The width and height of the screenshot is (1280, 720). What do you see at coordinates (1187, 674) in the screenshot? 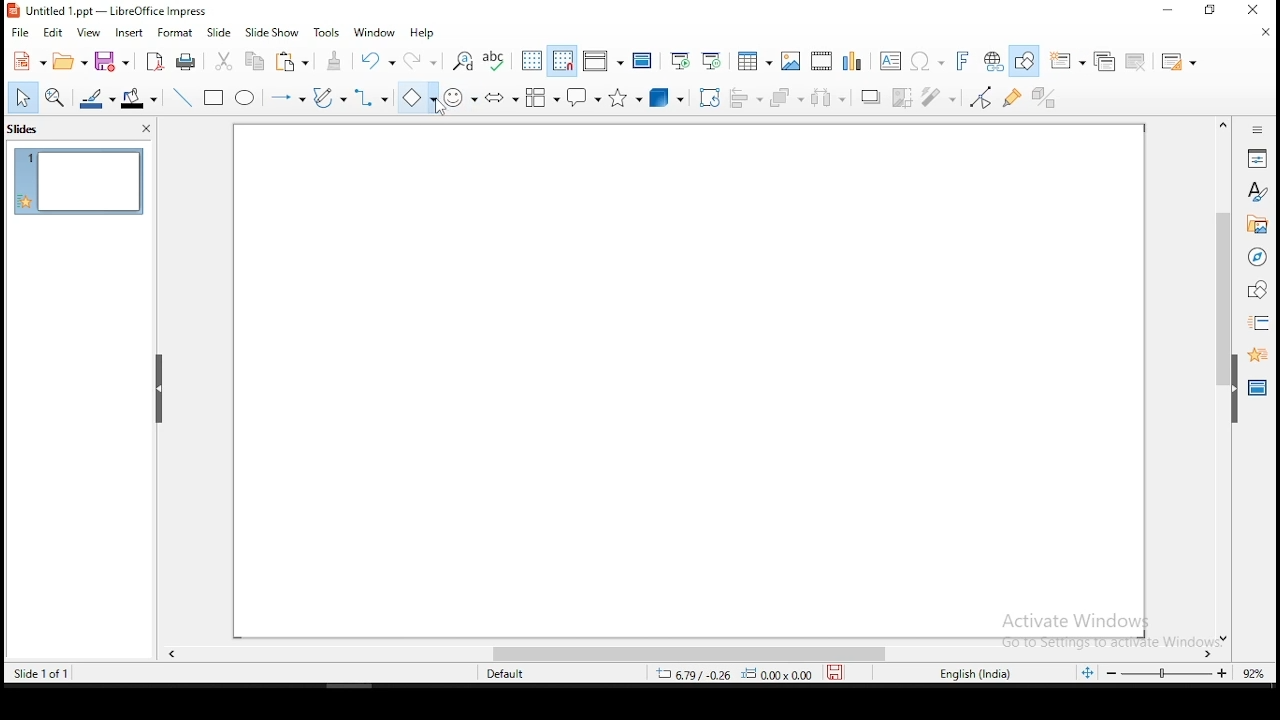
I see `zoom` at bounding box center [1187, 674].